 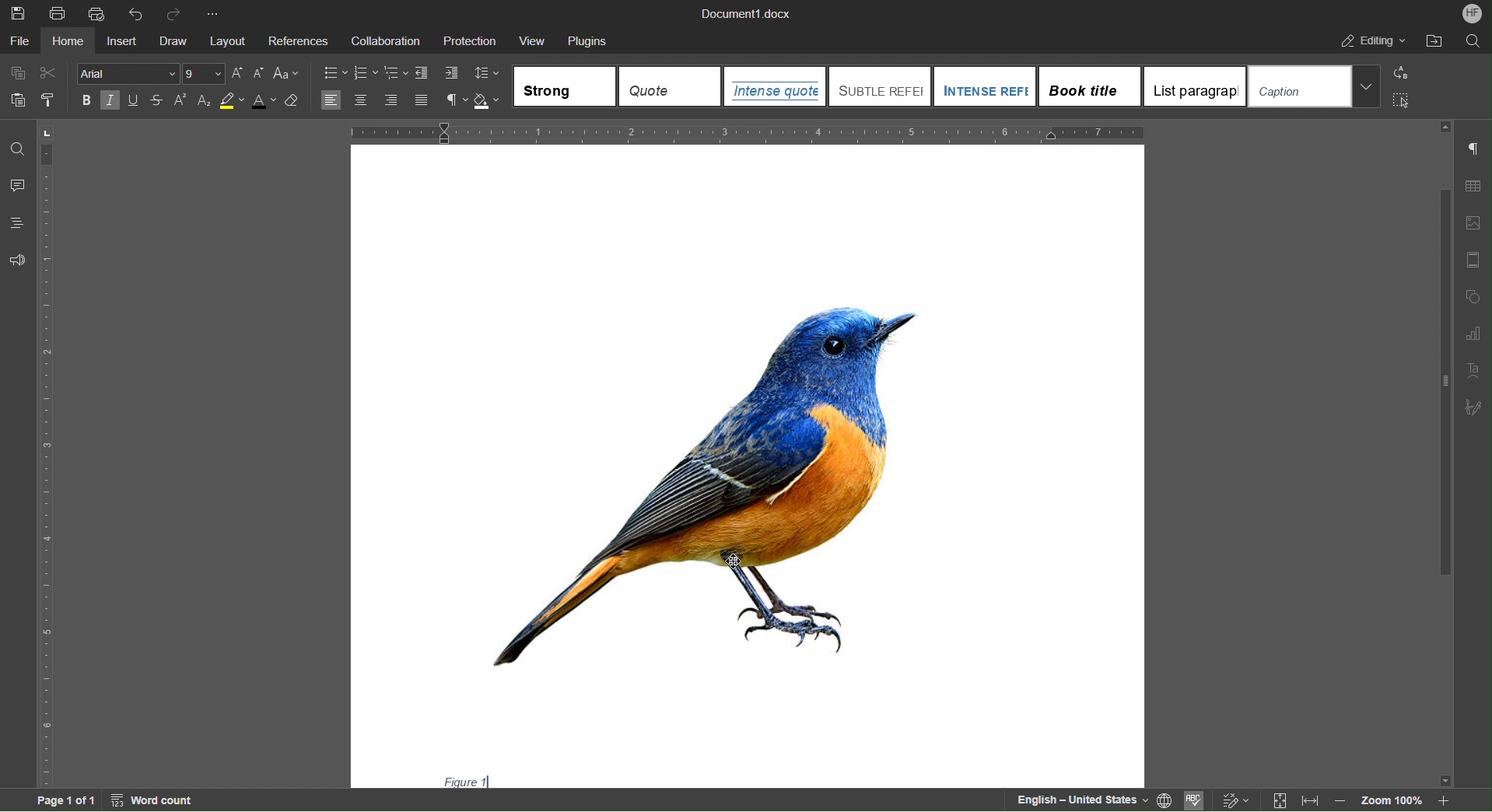 What do you see at coordinates (296, 43) in the screenshot?
I see `References` at bounding box center [296, 43].